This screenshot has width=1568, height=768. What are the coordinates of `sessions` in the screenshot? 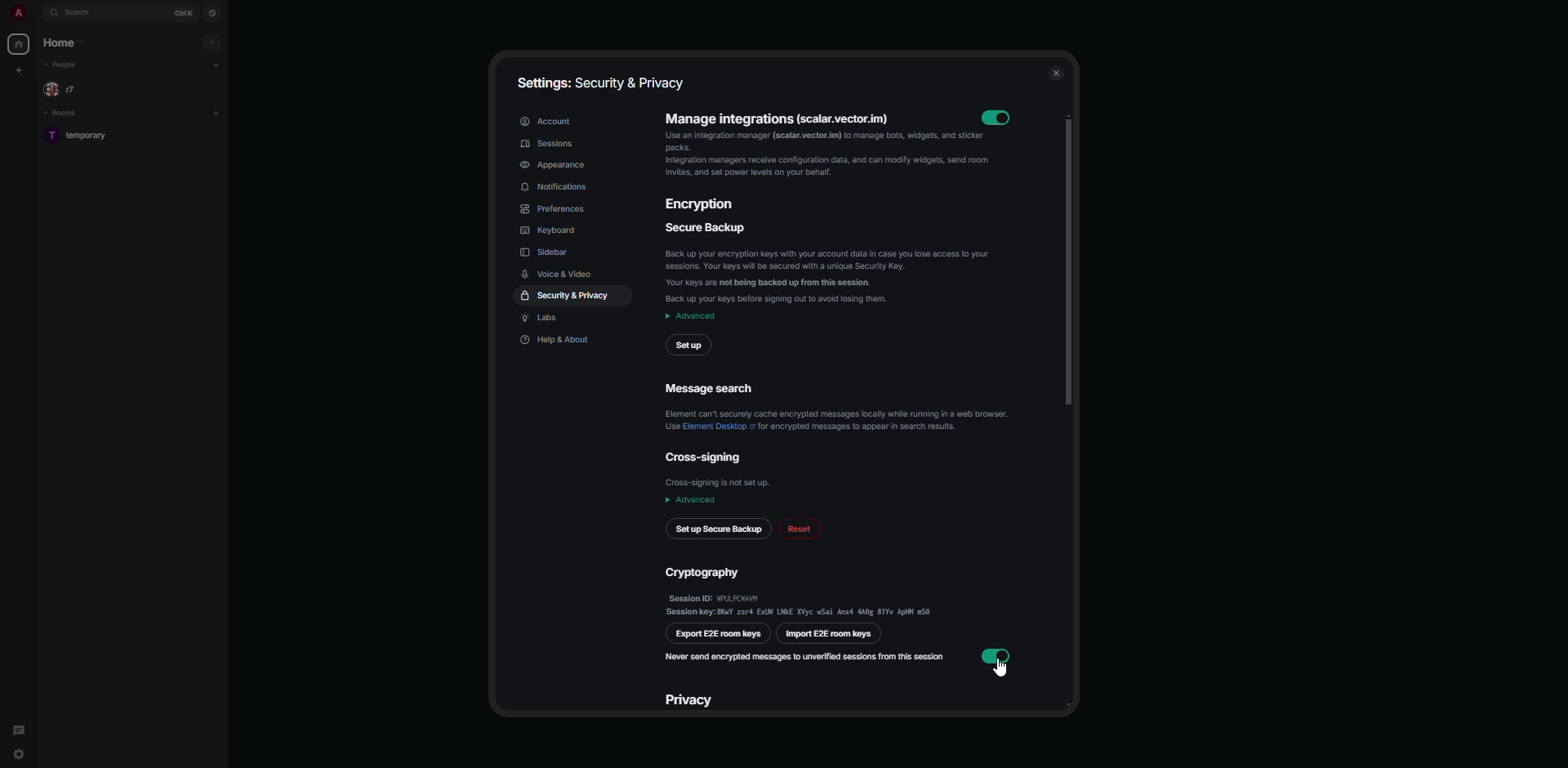 It's located at (550, 145).